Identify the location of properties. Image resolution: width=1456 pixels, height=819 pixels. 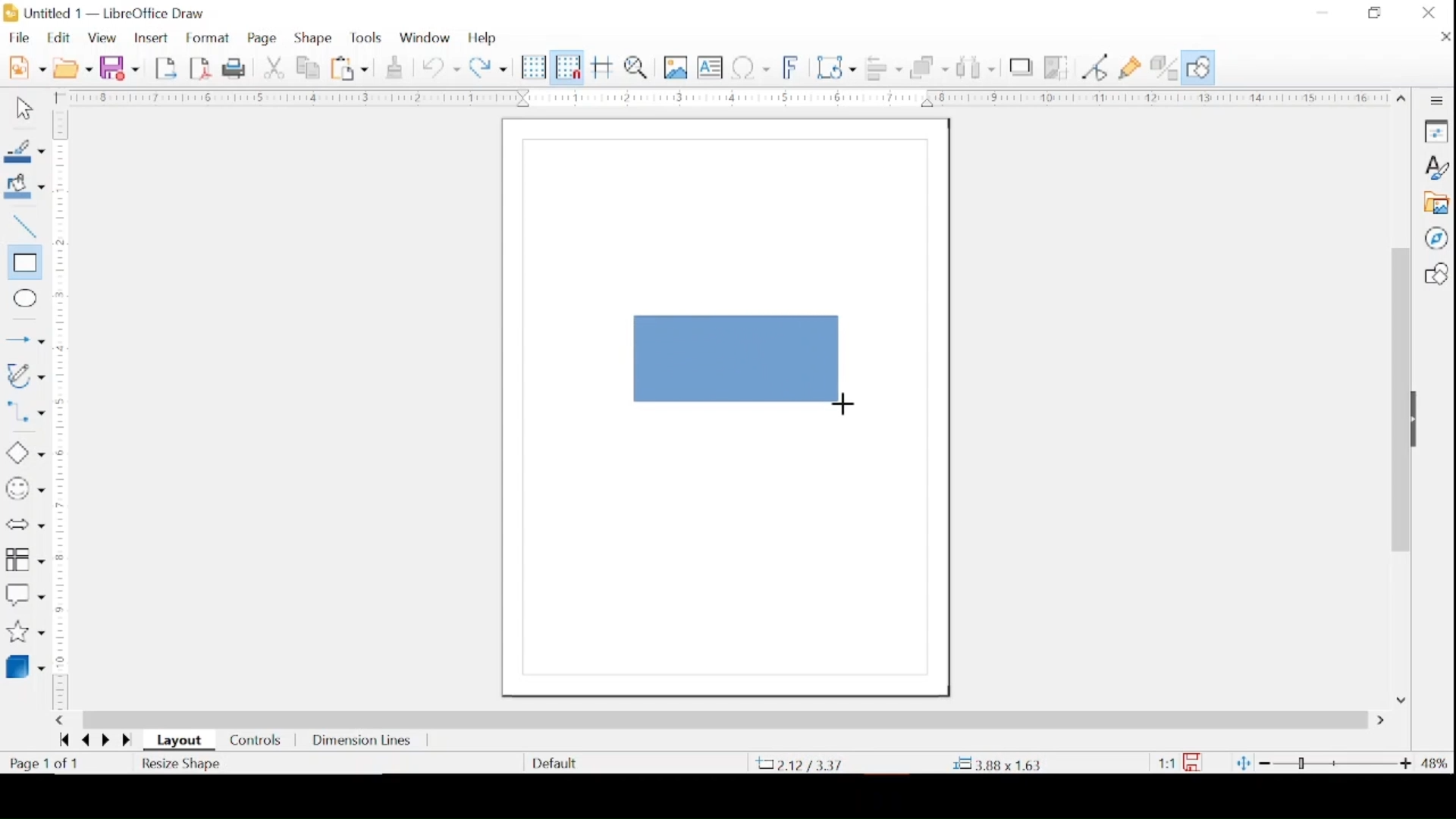
(1436, 130).